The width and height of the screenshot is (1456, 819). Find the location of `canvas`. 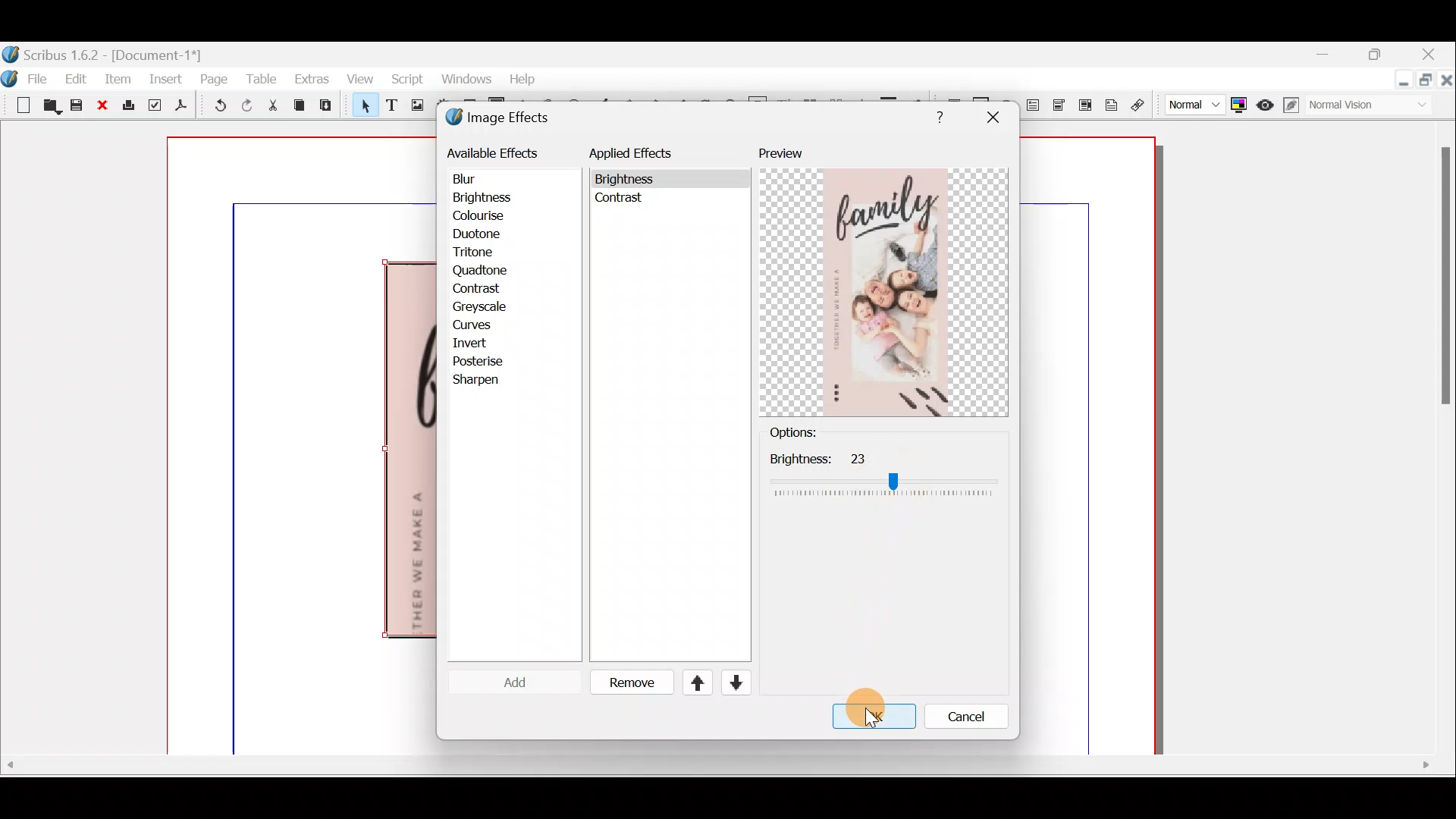

canvas is located at coordinates (1089, 447).